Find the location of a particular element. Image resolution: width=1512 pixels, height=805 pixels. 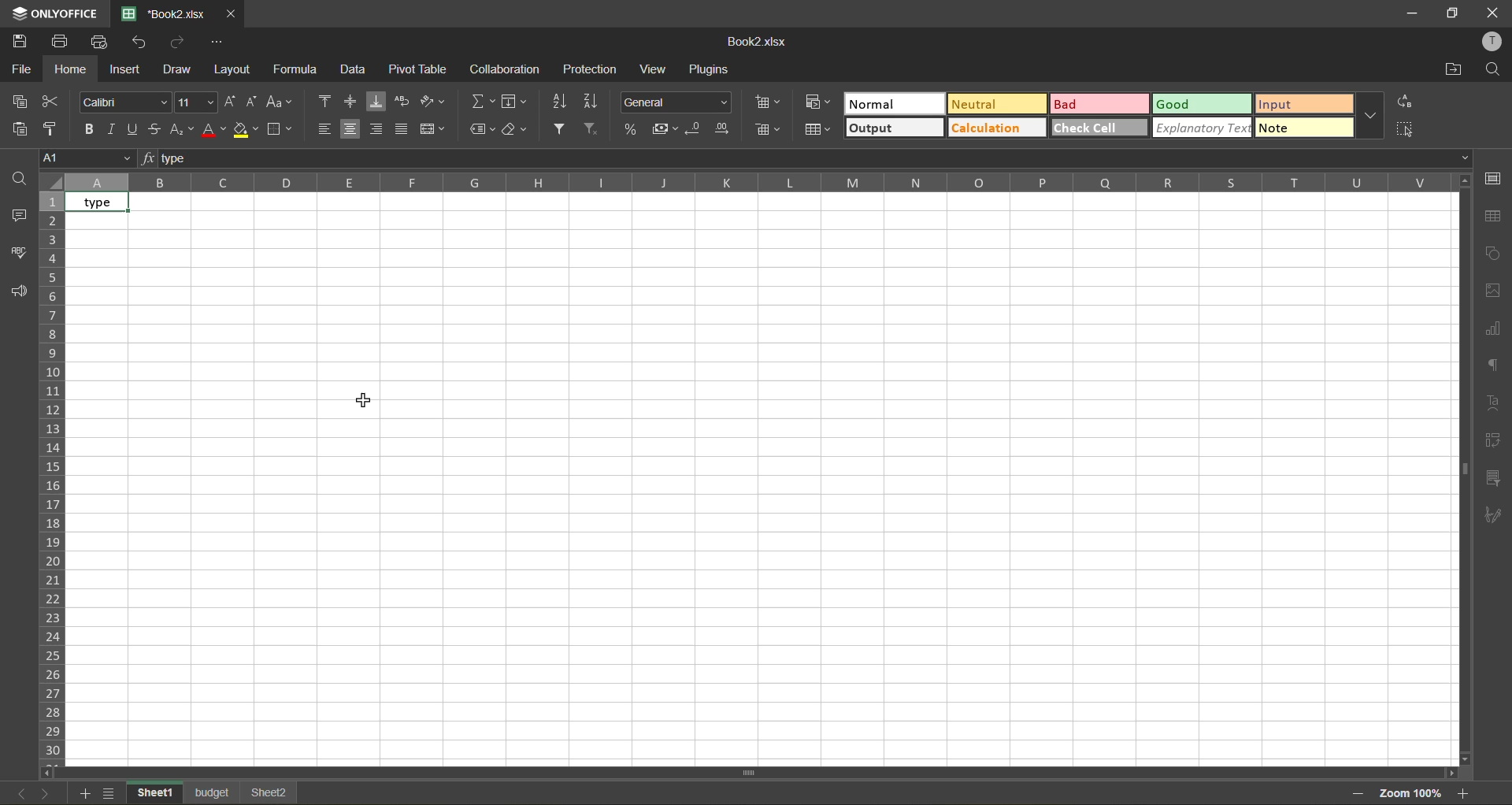

increase decimal is located at coordinates (725, 131).